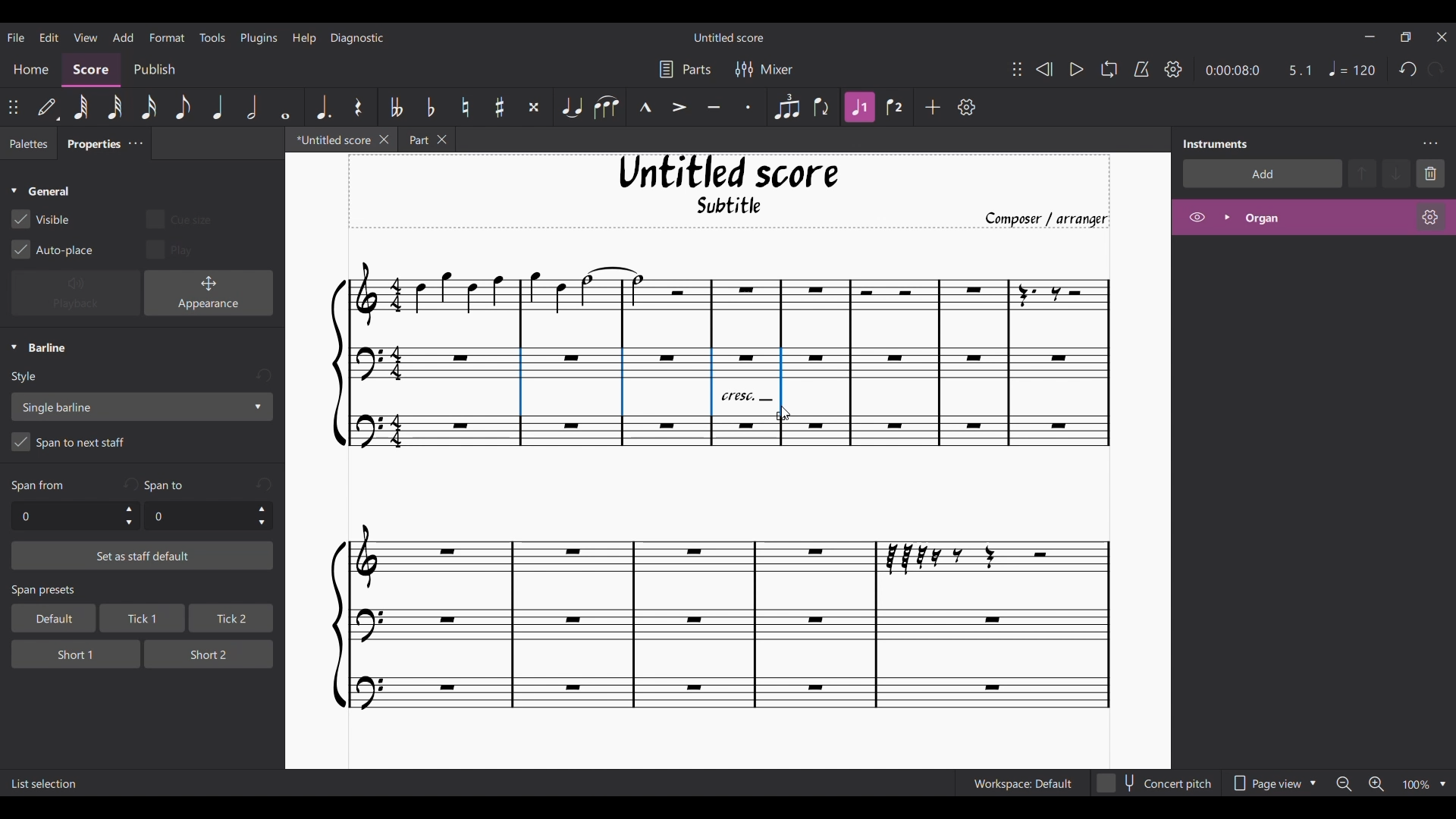 The width and height of the screenshot is (1456, 819). I want to click on Untitled Score, so click(729, 172).